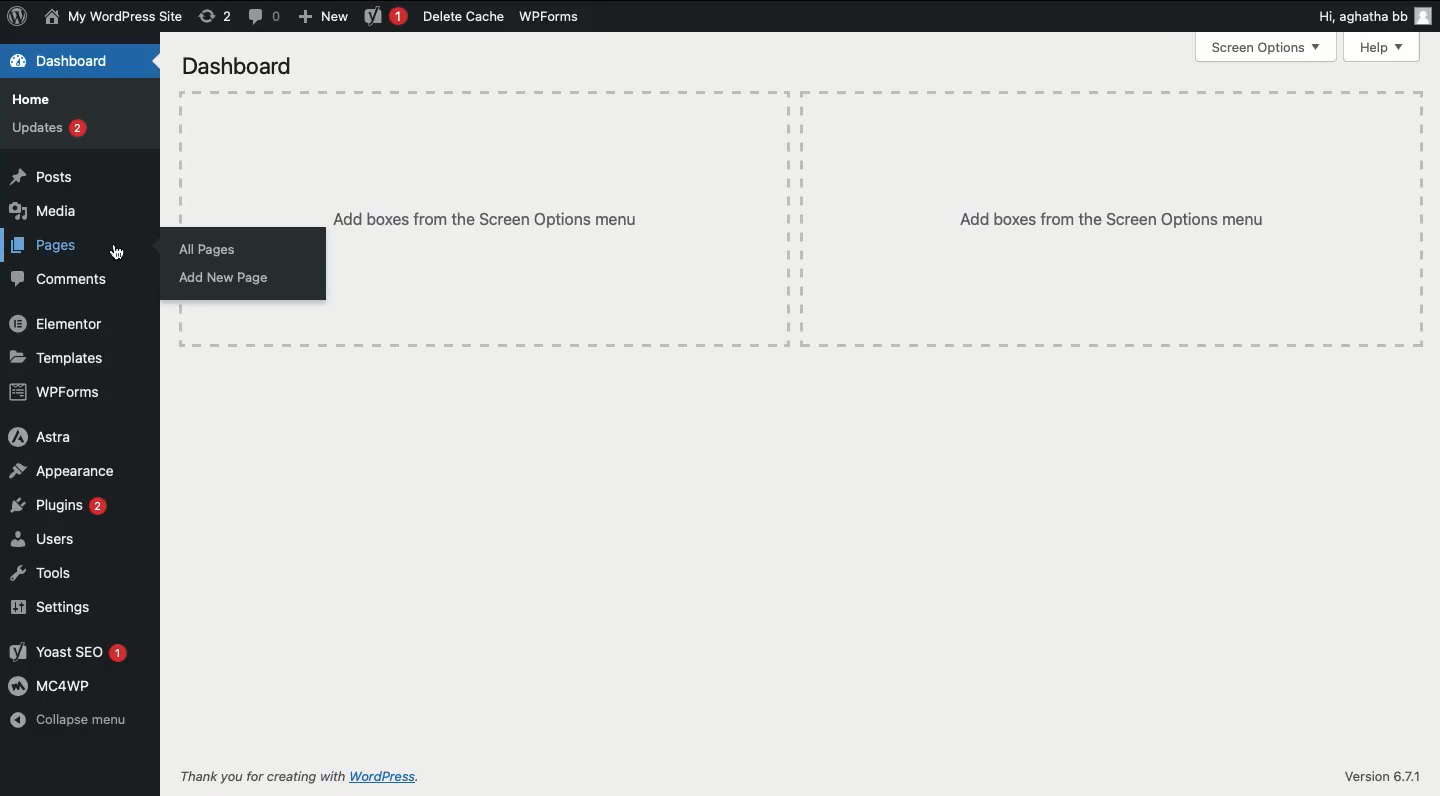 The height and width of the screenshot is (796, 1440). What do you see at coordinates (44, 537) in the screenshot?
I see `Users` at bounding box center [44, 537].